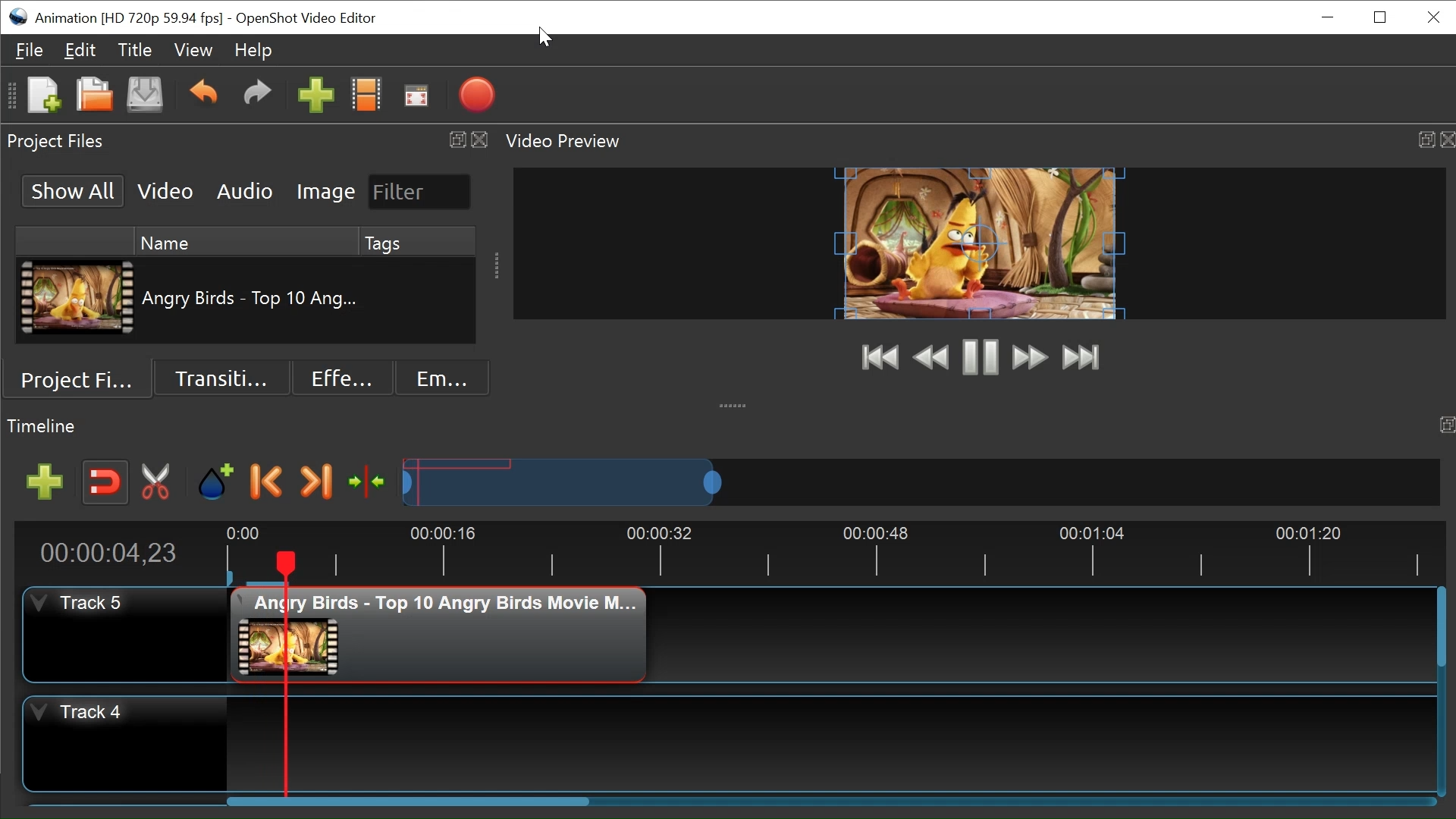 The image size is (1456, 819). Describe the element at coordinates (476, 95) in the screenshot. I see `Export Video` at that location.